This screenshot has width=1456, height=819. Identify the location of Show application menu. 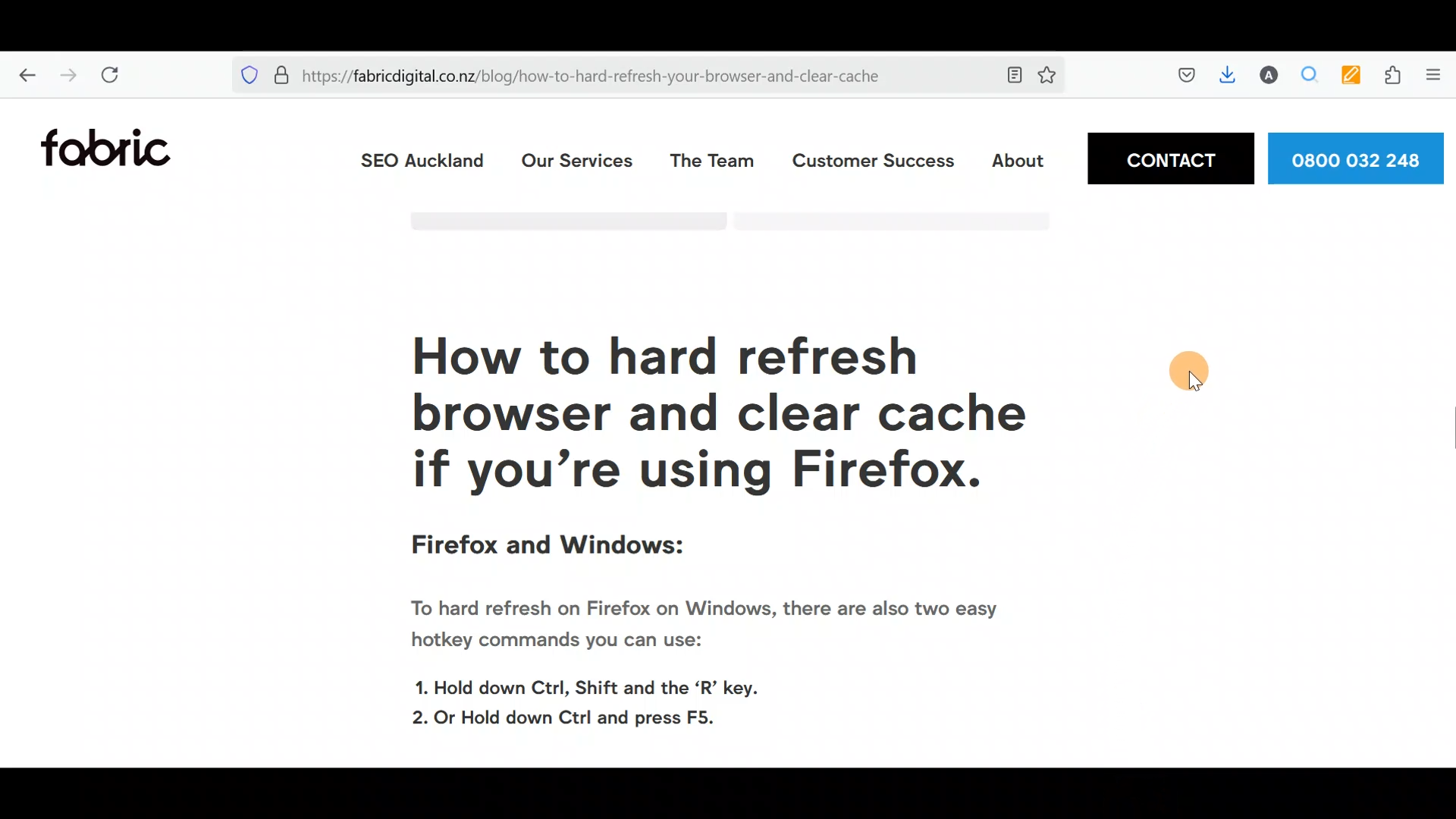
(1439, 78).